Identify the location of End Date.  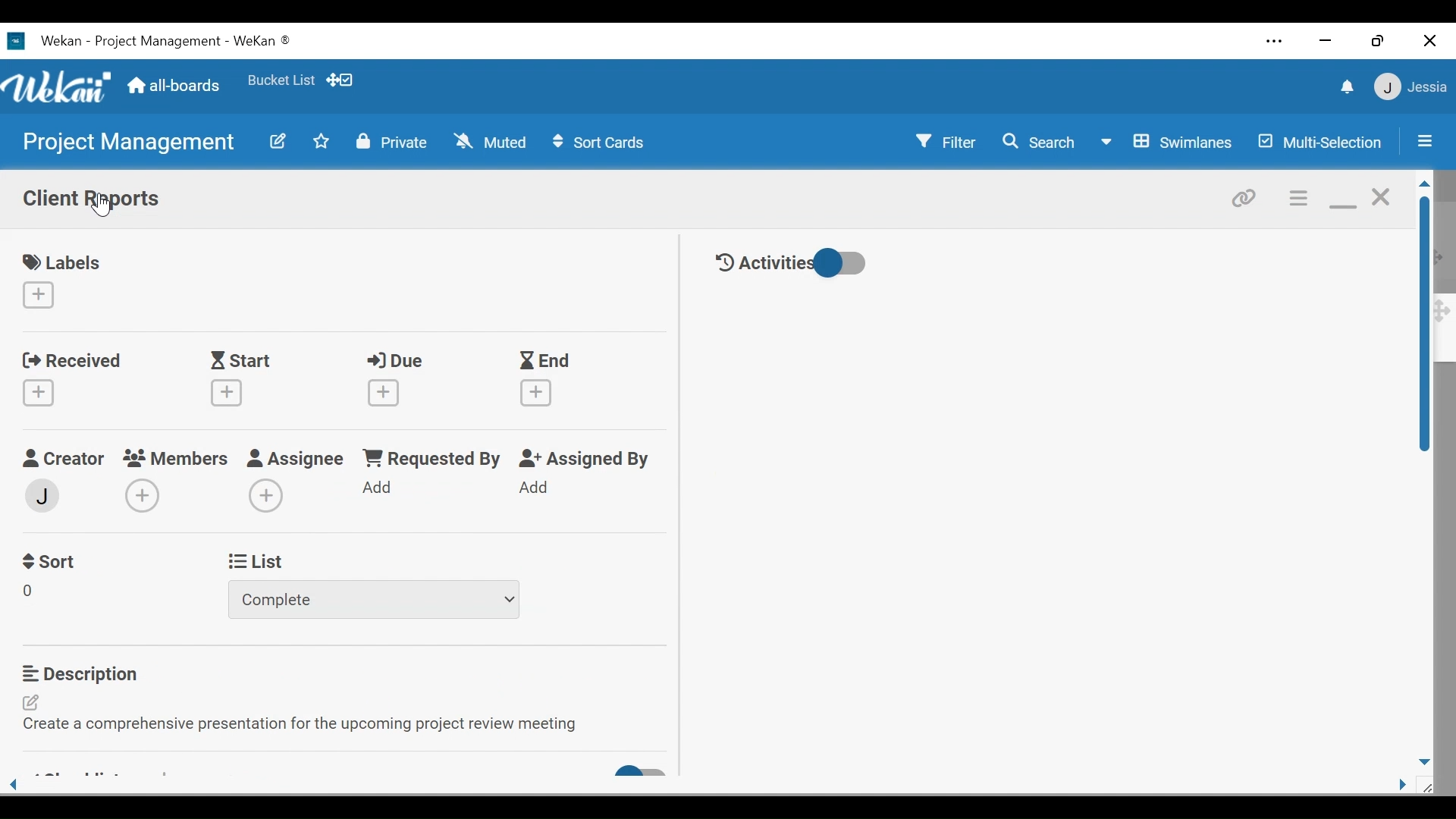
(548, 362).